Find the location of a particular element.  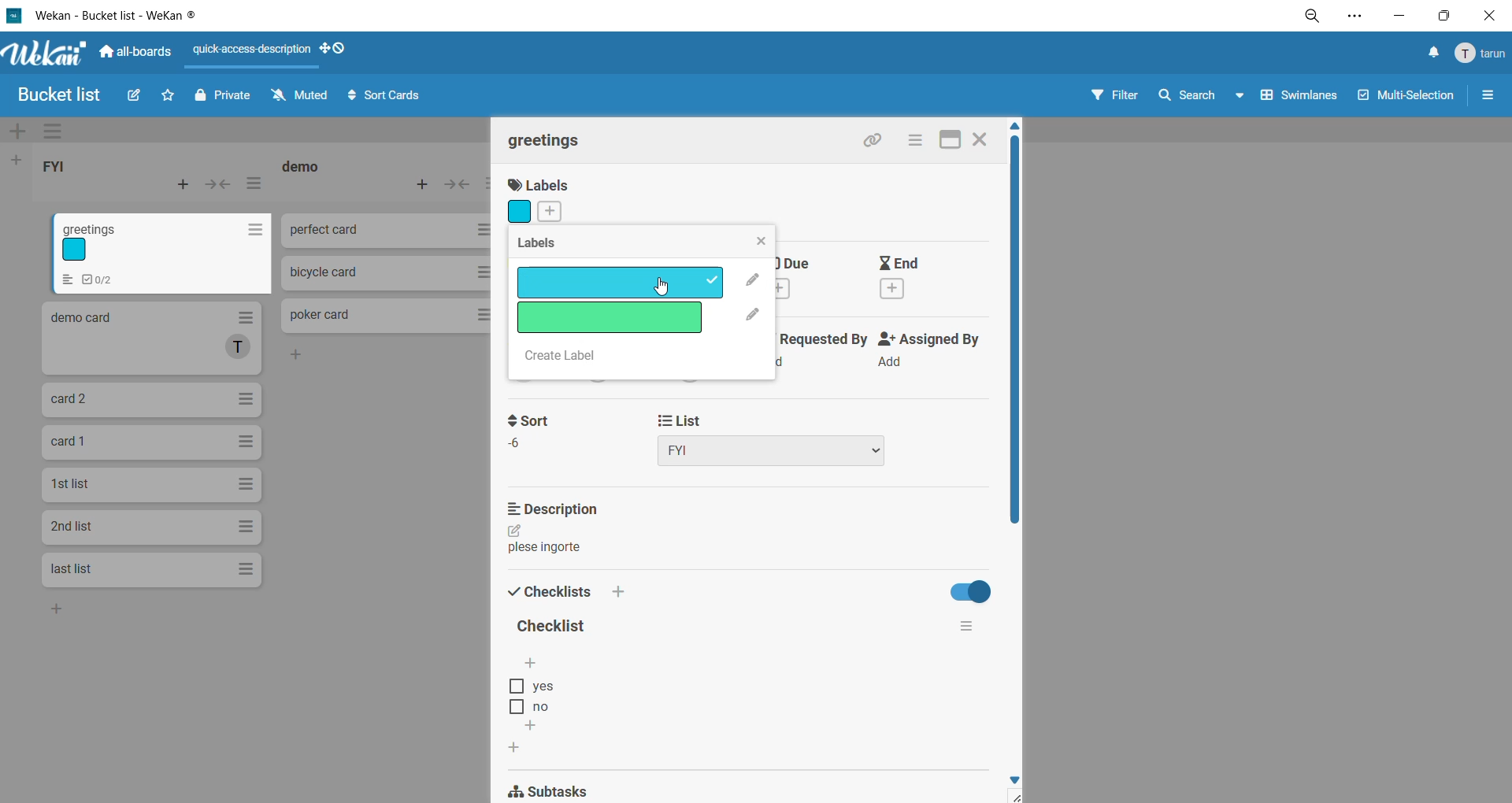

hide completed checklist is located at coordinates (971, 590).